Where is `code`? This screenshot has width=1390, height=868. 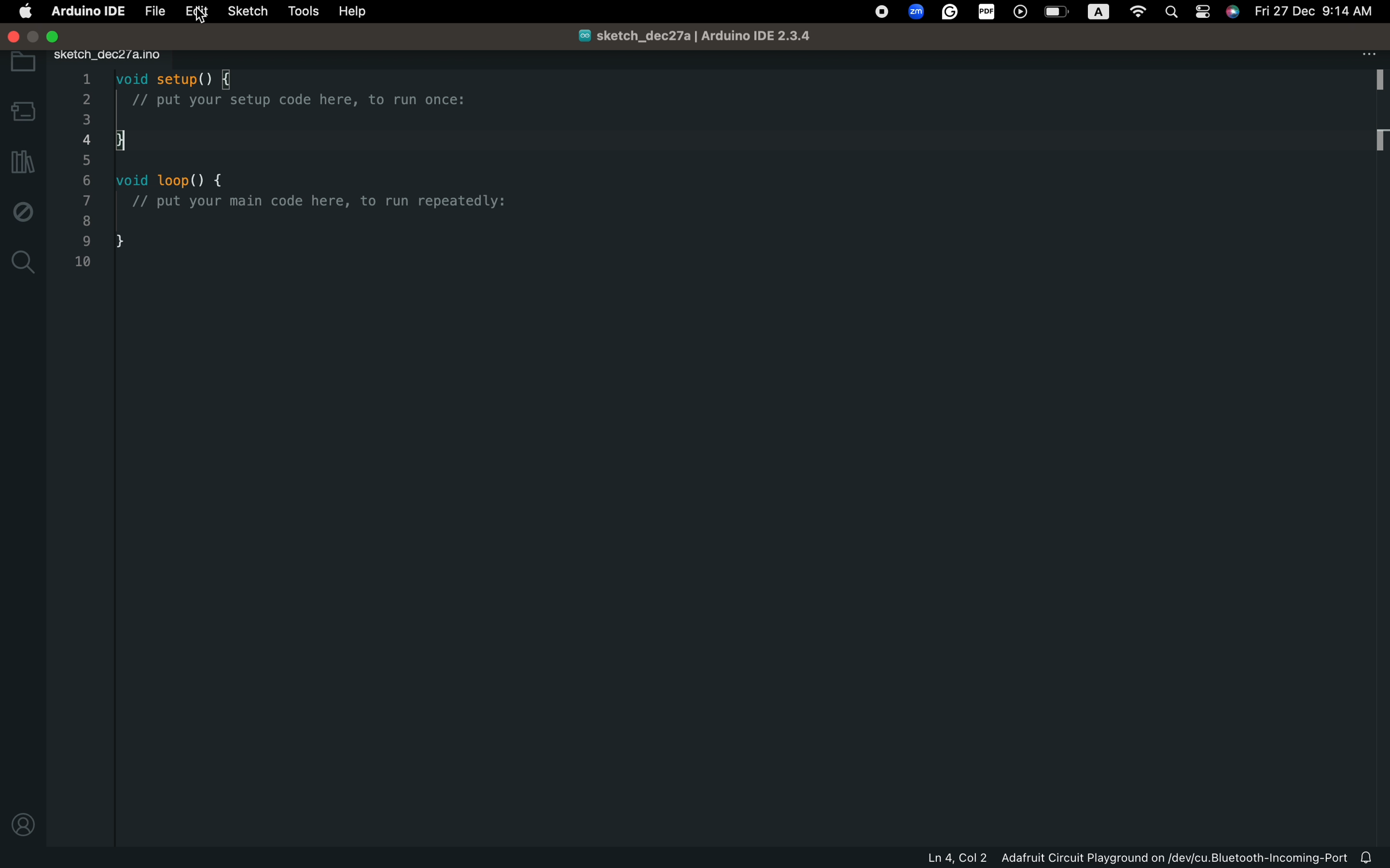 code is located at coordinates (364, 181).